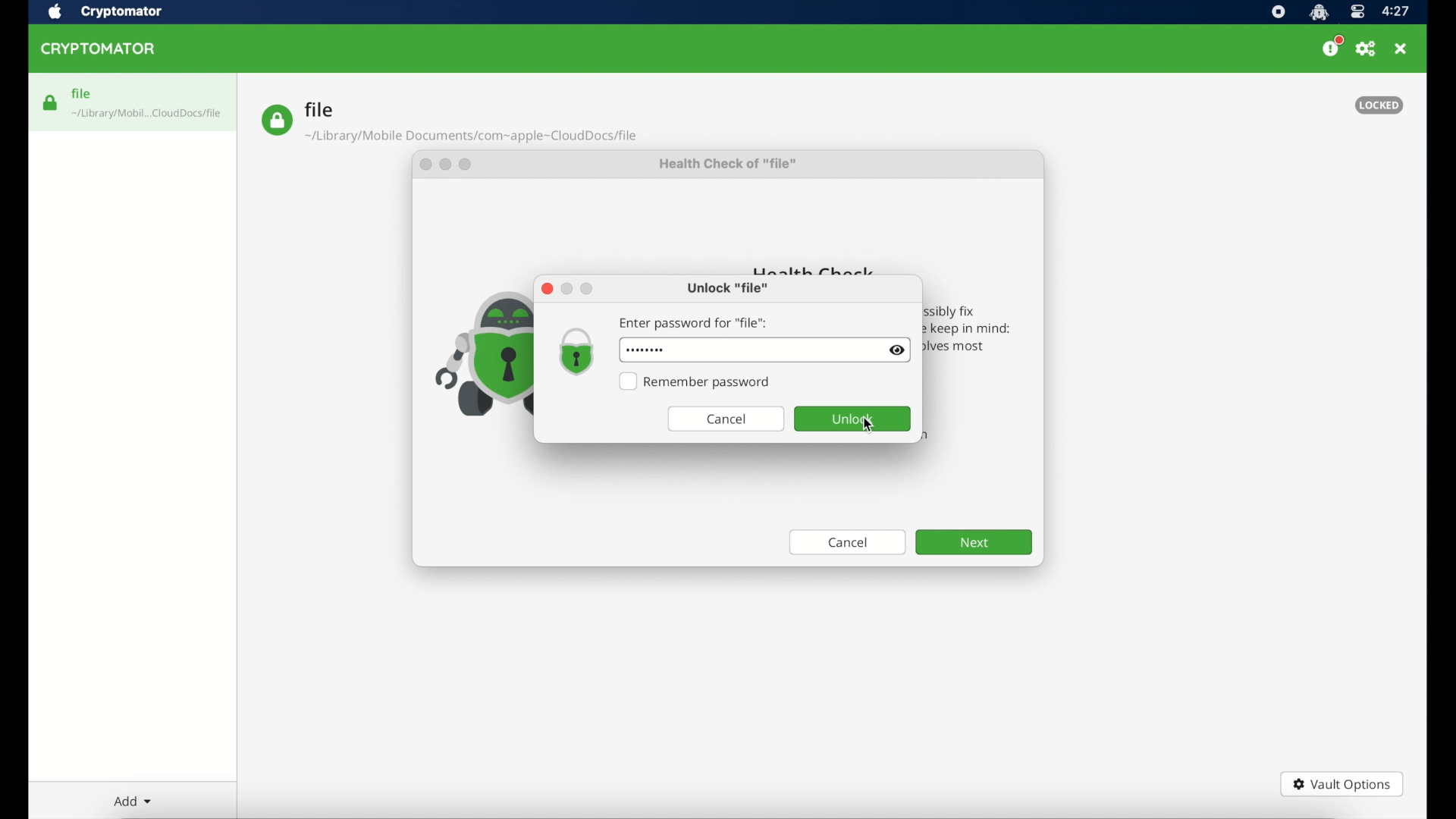 The image size is (1456, 819). Describe the element at coordinates (567, 288) in the screenshot. I see `minimize` at that location.